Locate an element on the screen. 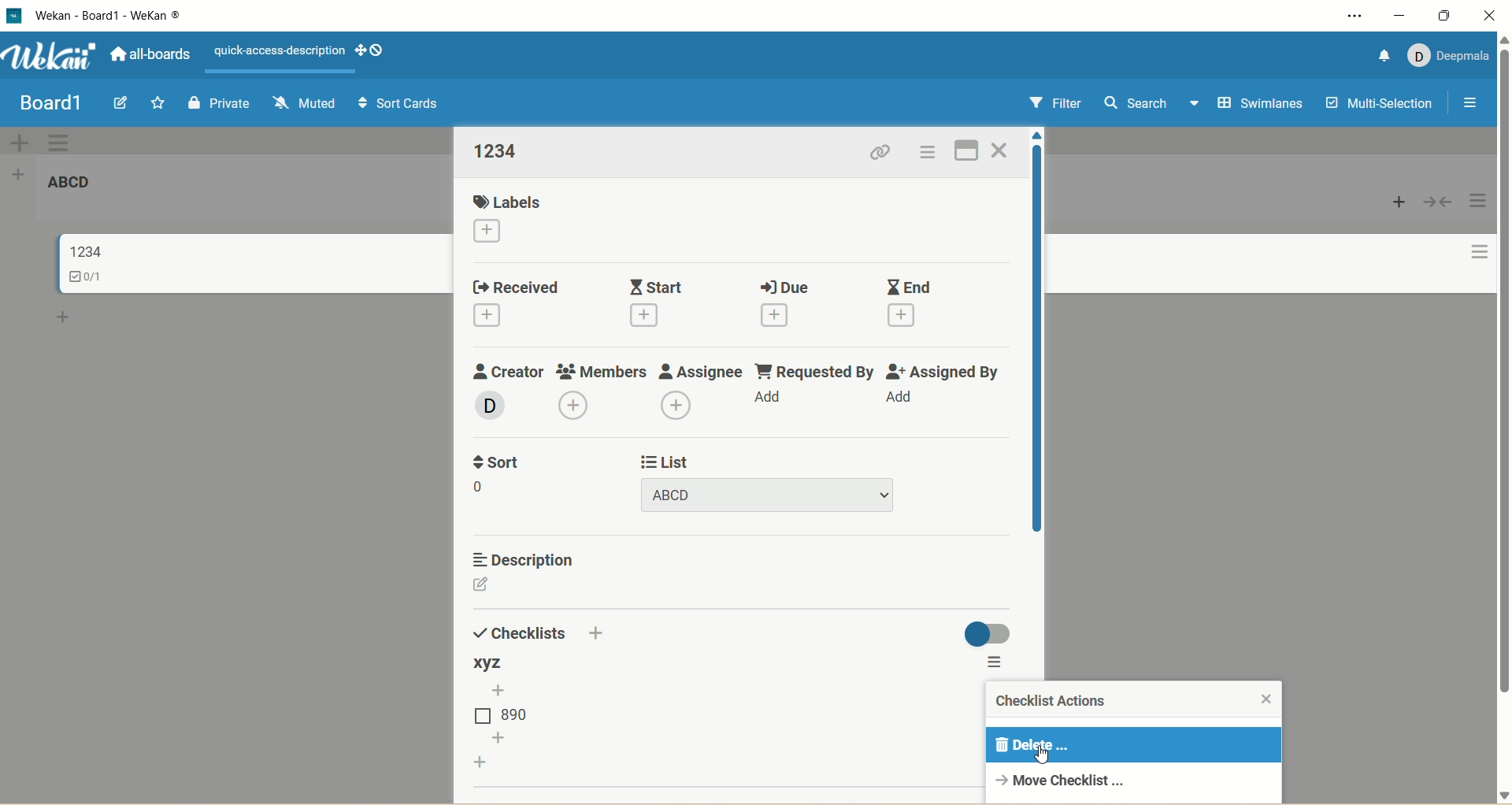 Image resolution: width=1512 pixels, height=805 pixels. List is located at coordinates (670, 461).